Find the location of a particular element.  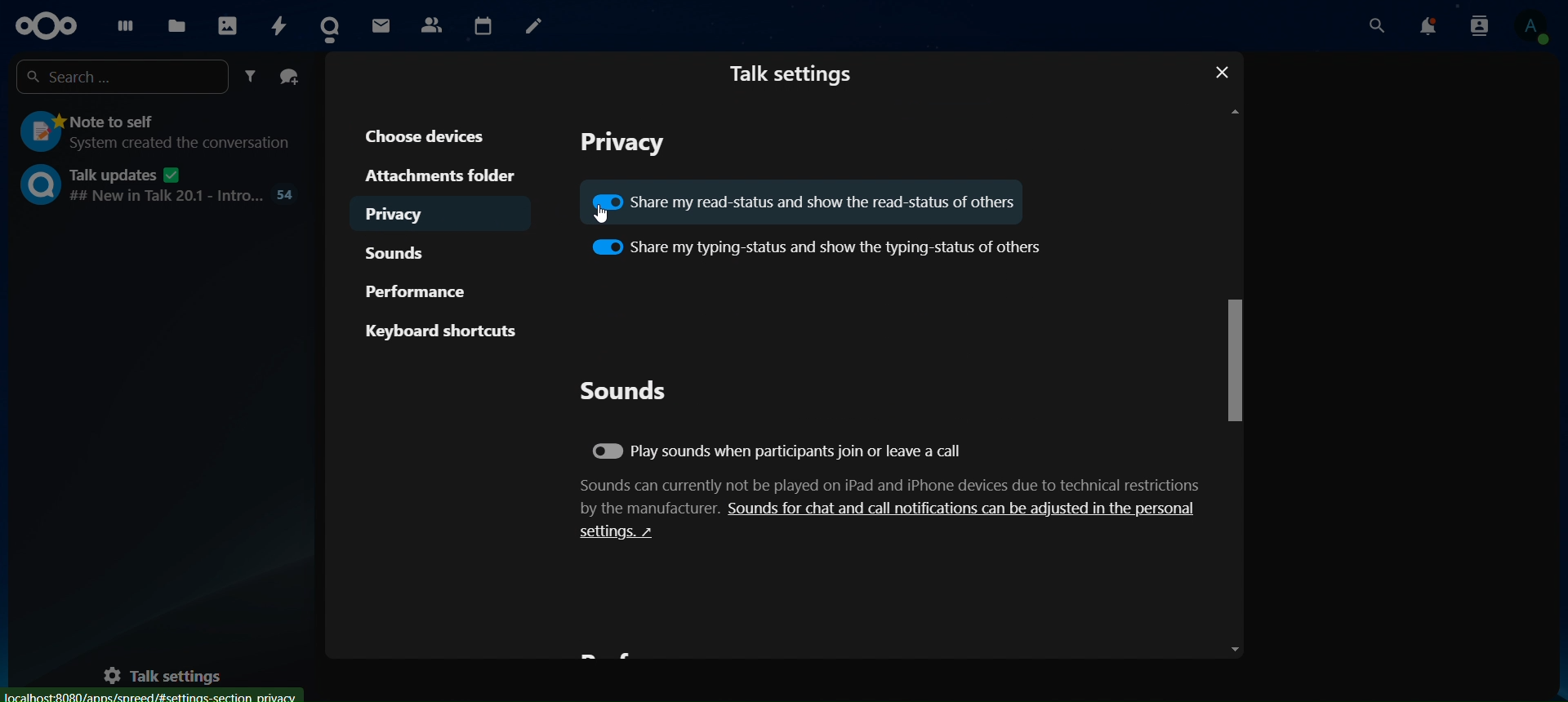

icon is located at coordinates (44, 25).